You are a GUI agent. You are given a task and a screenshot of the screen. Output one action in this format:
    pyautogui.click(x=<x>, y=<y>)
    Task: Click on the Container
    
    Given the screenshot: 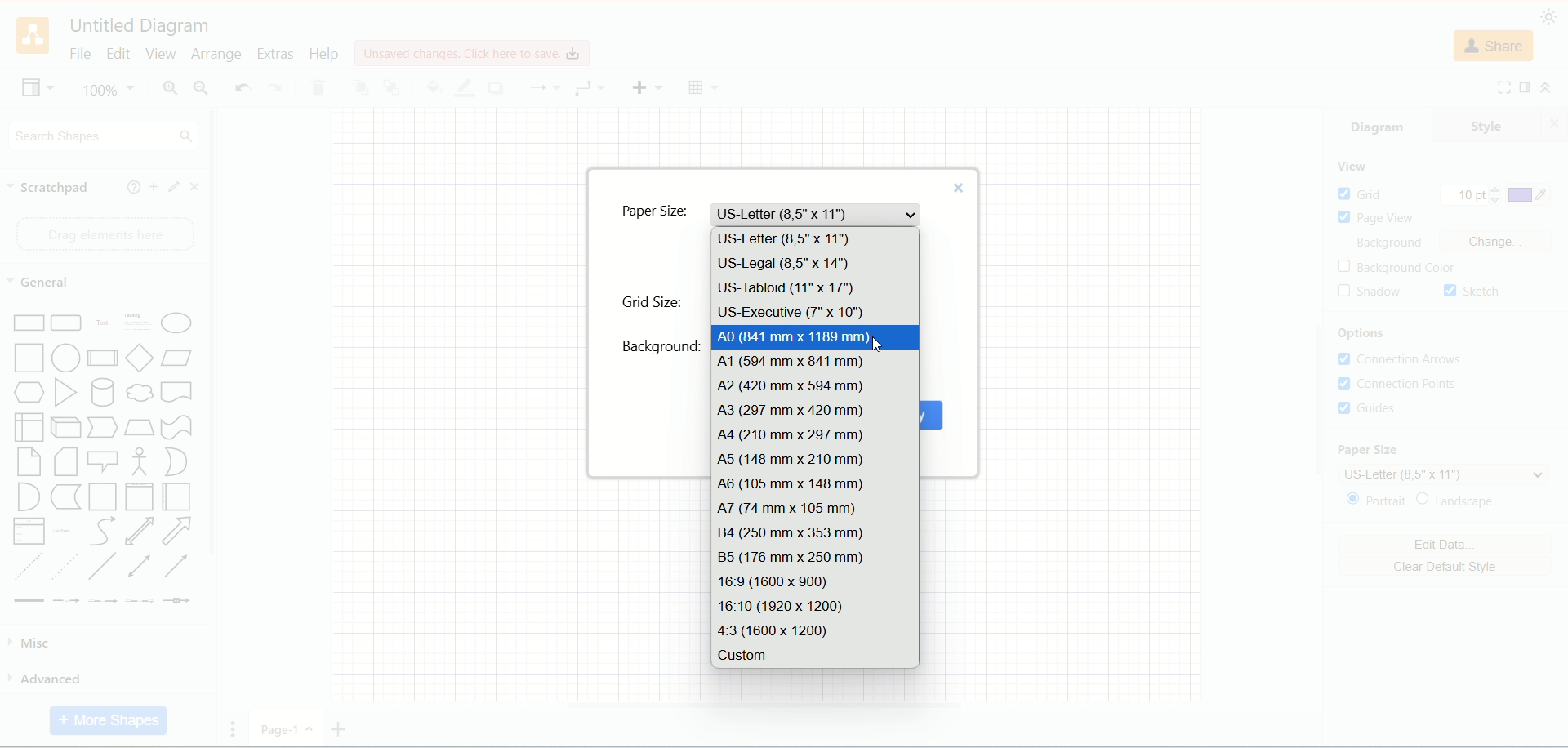 What is the action you would take?
    pyautogui.click(x=103, y=498)
    